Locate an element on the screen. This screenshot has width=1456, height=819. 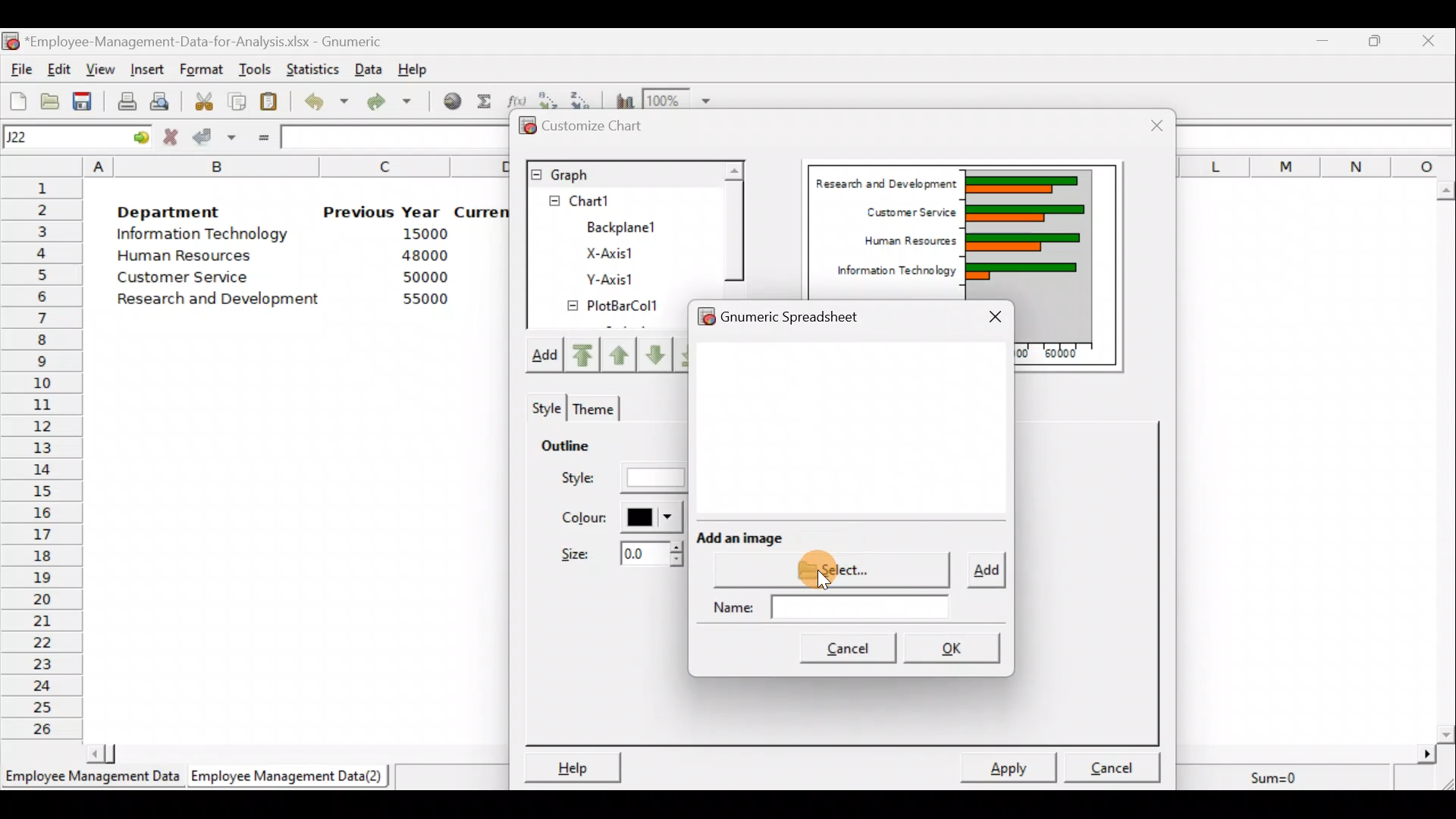
Edit is located at coordinates (61, 68).